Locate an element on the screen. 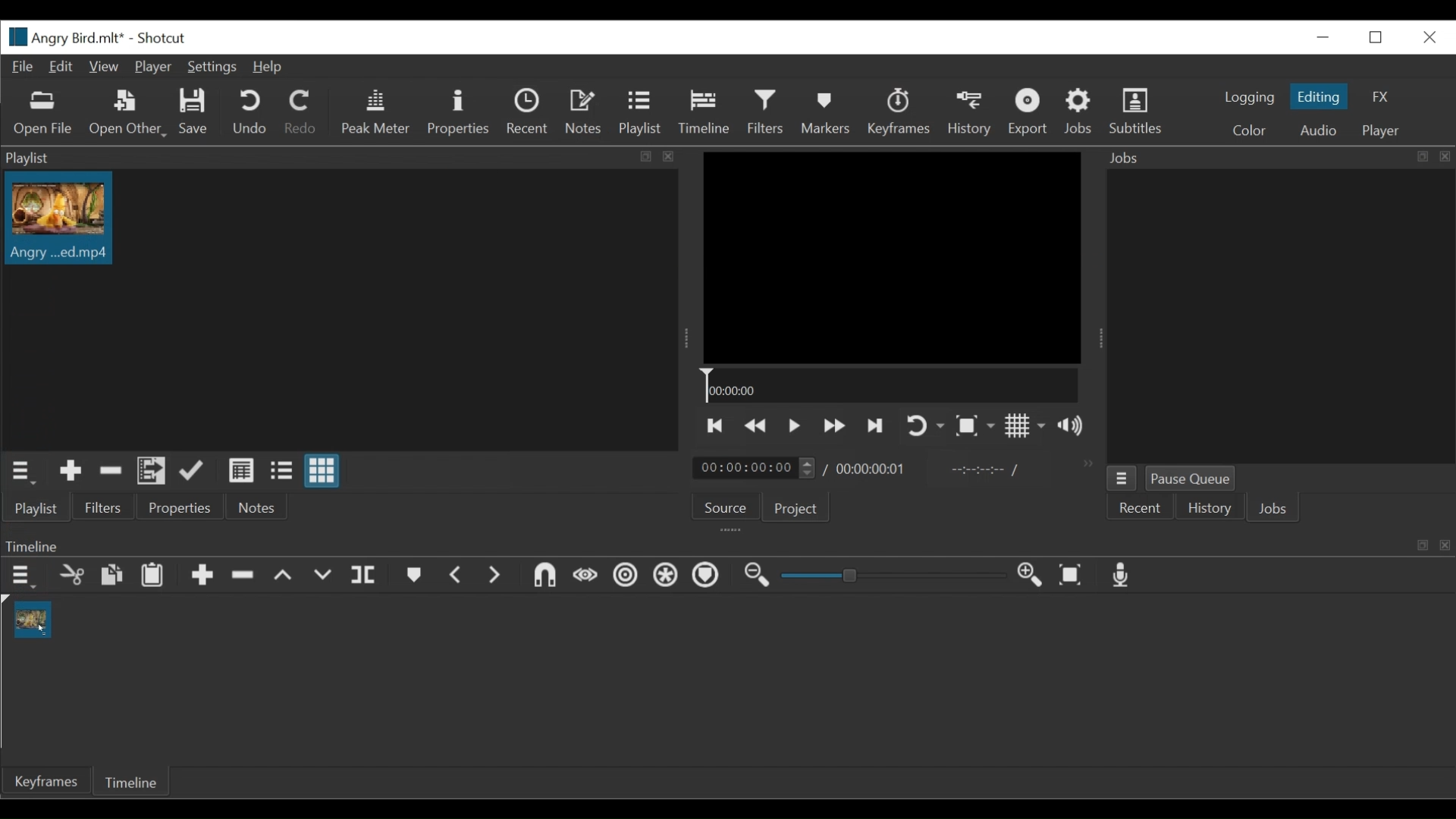  Keyframes is located at coordinates (899, 111).